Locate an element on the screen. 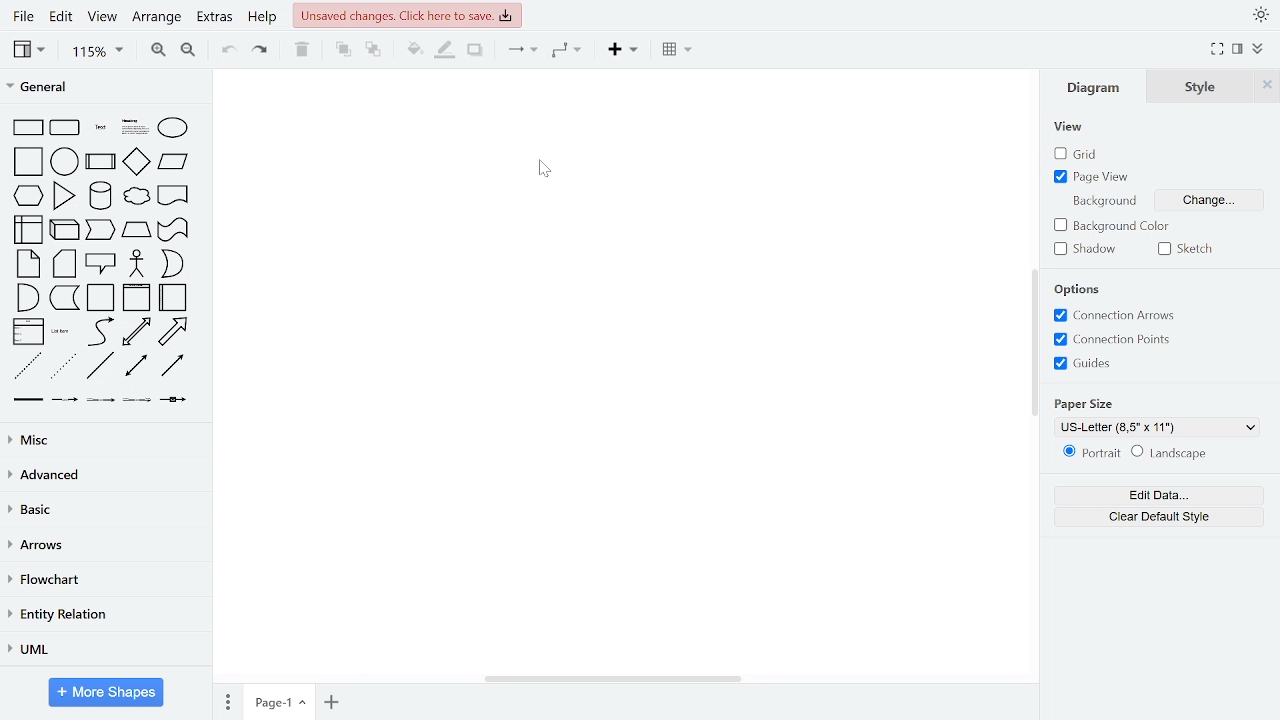 This screenshot has height=720, width=1280. UML is located at coordinates (102, 649).